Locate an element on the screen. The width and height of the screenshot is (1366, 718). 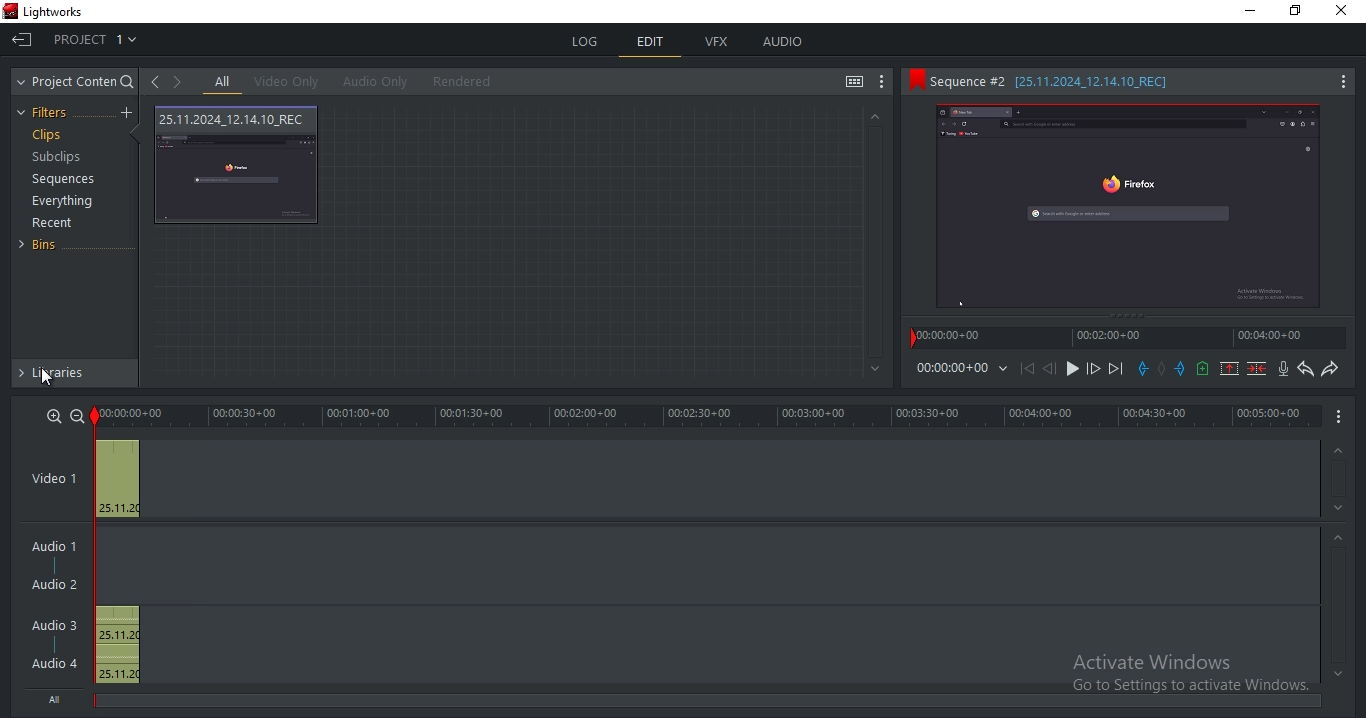
maximize is located at coordinates (1300, 12).